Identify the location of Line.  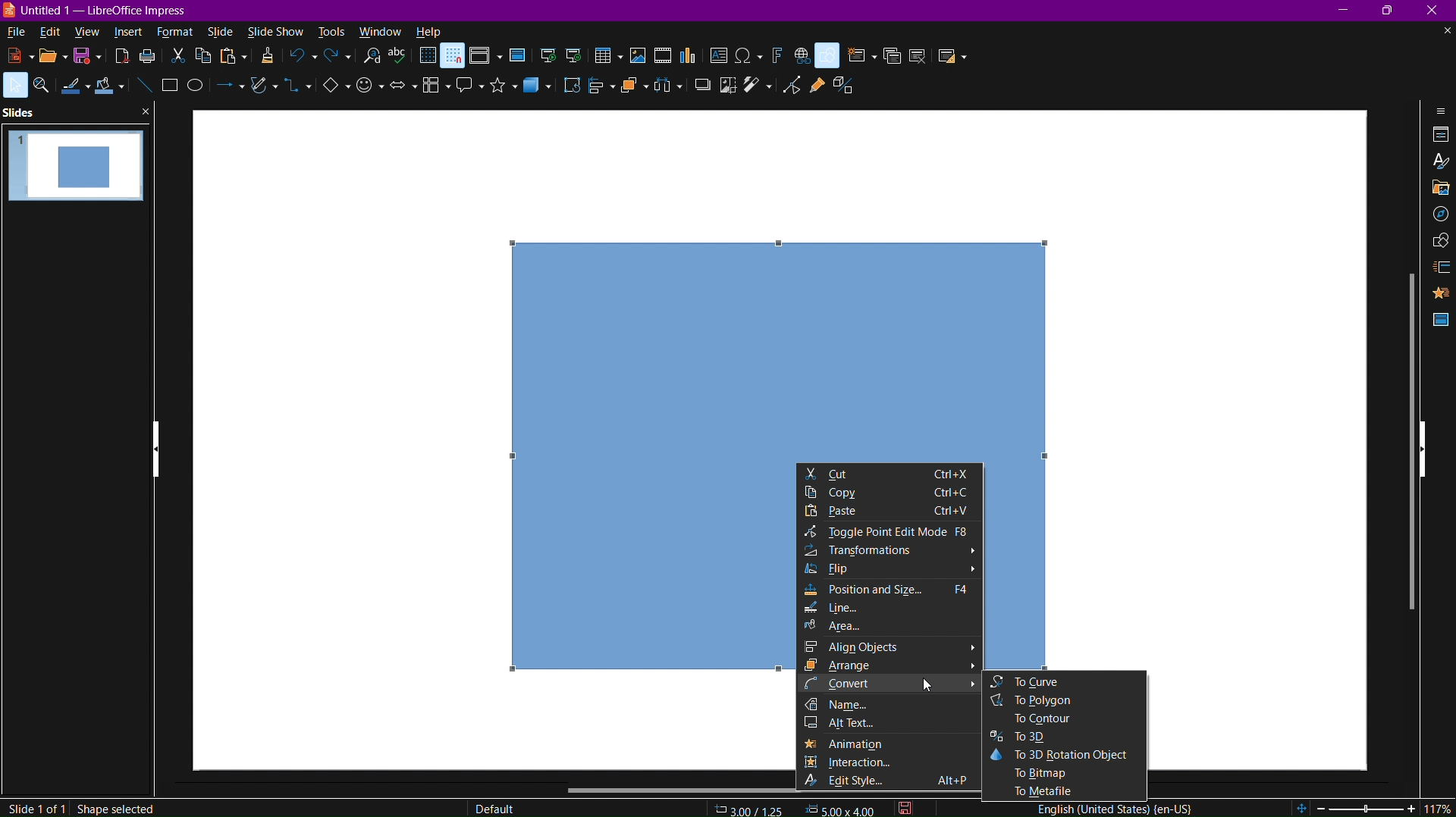
(855, 611).